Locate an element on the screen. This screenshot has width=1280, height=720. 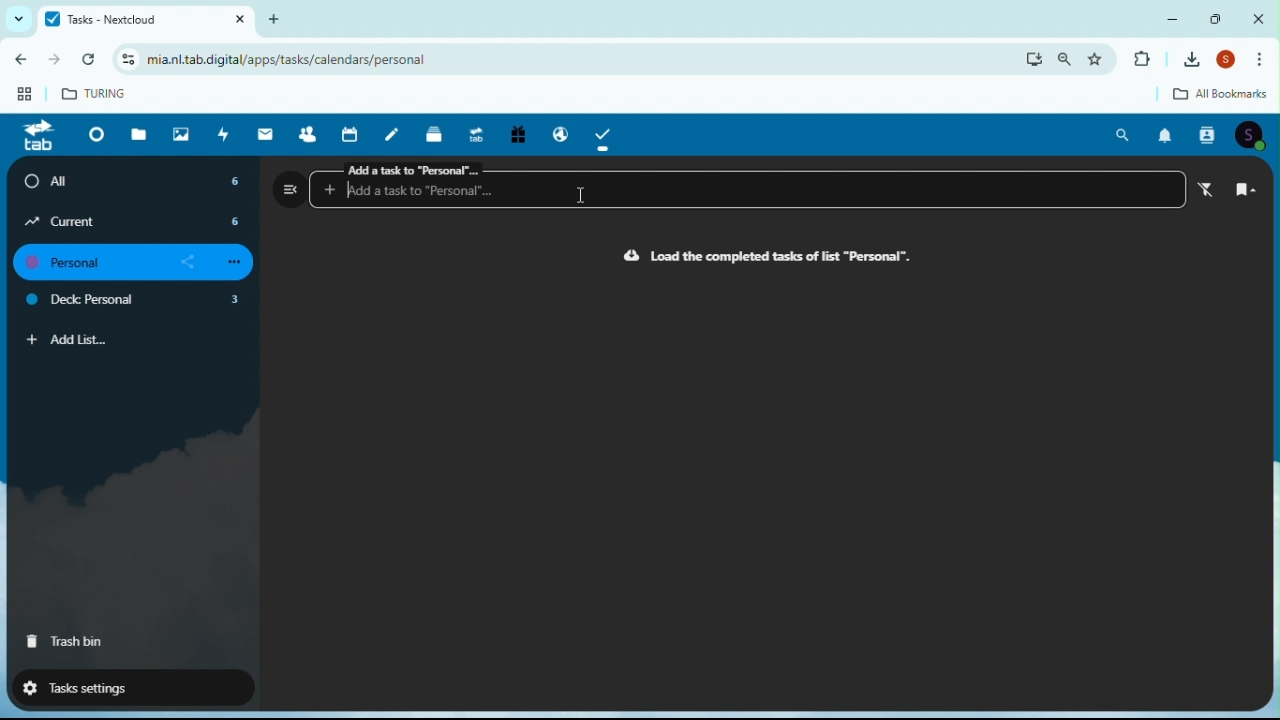
Extensions is located at coordinates (1141, 60).